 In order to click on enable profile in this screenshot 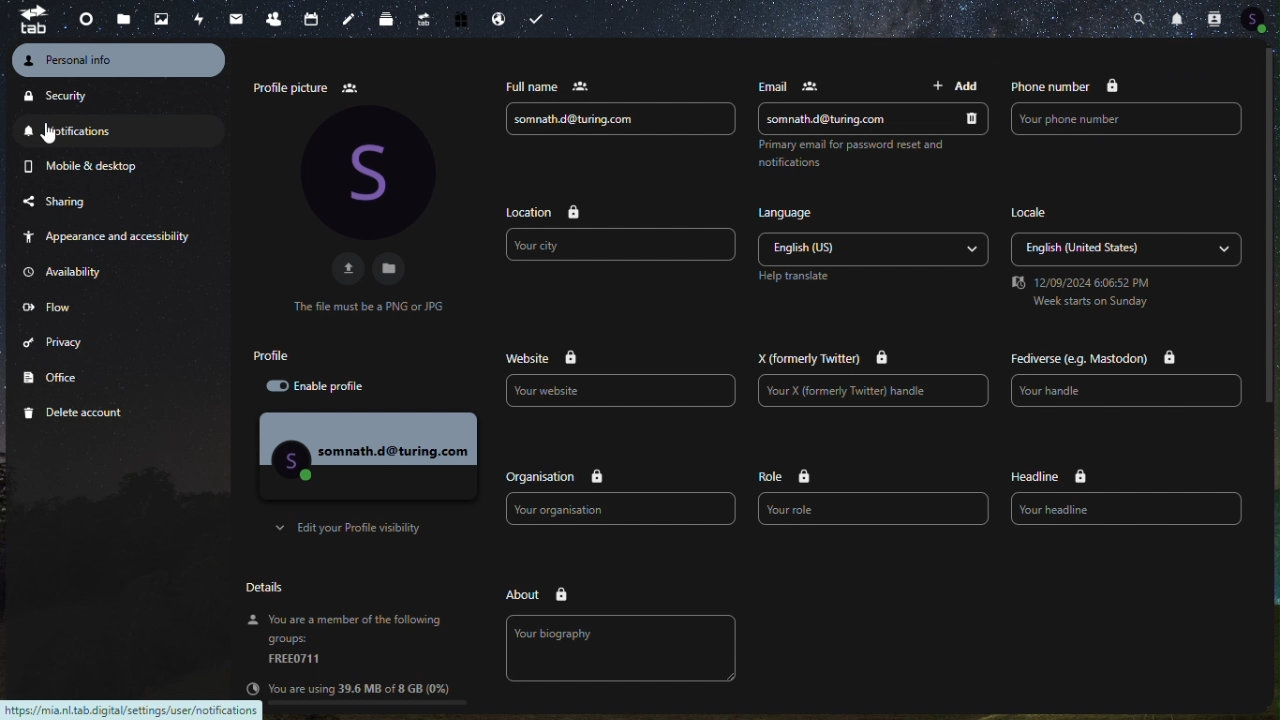, I will do `click(331, 387)`.